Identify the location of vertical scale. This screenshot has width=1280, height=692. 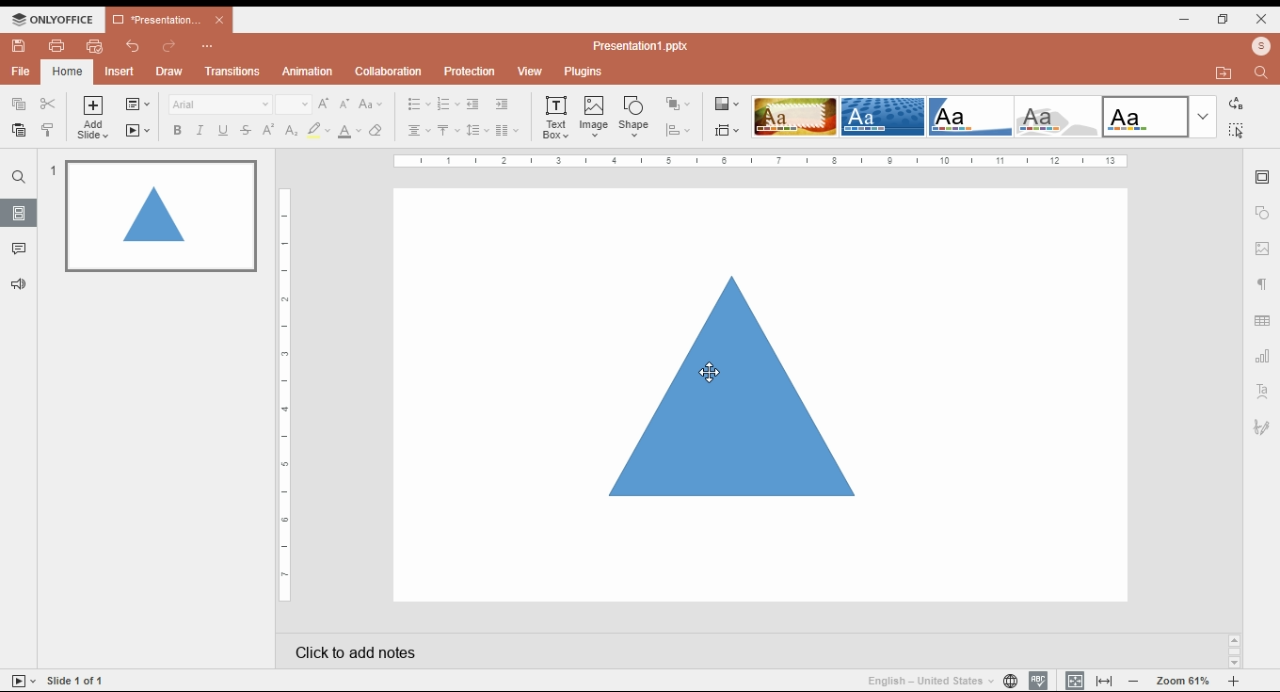
(285, 396).